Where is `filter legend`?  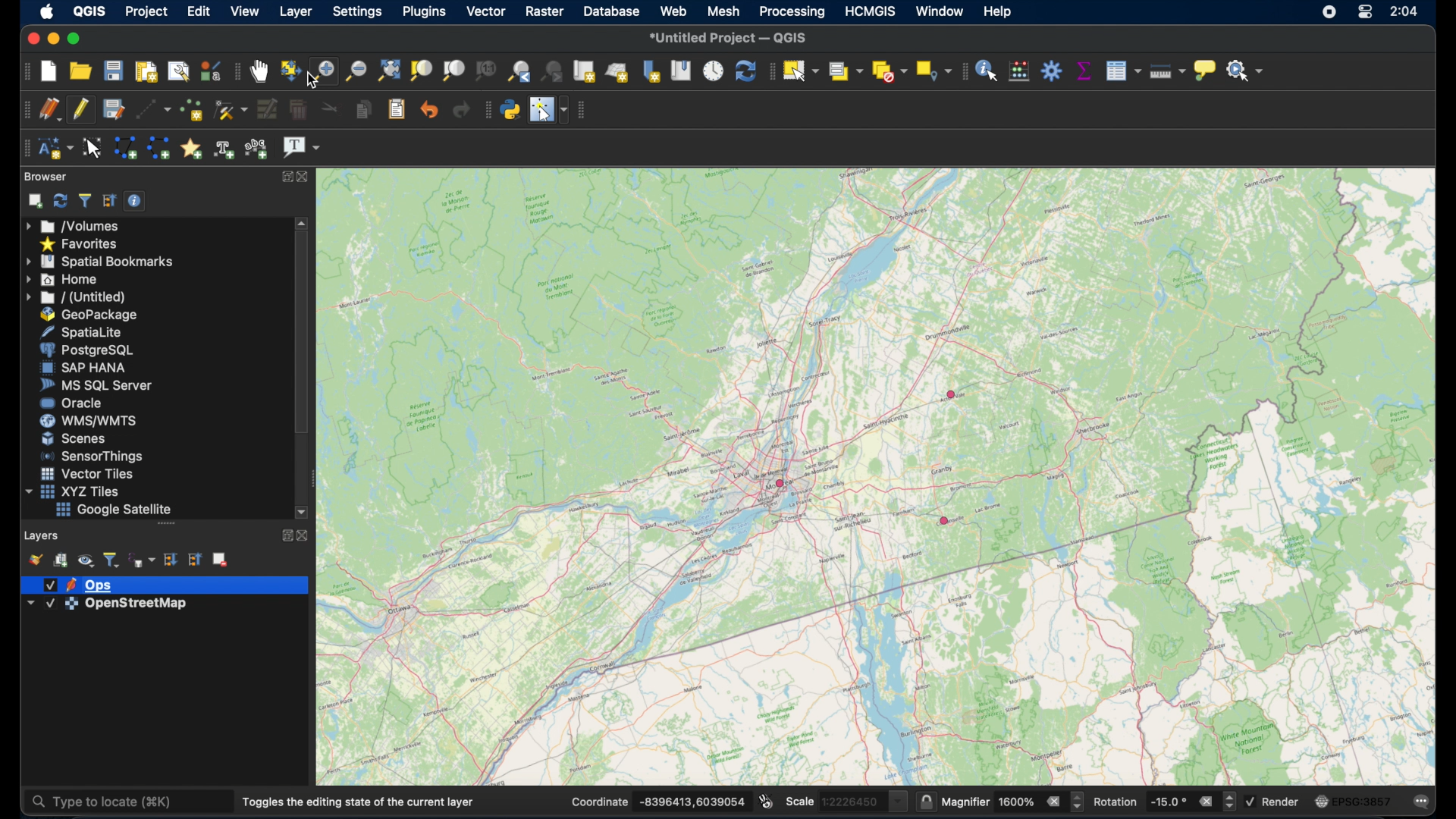 filter legend is located at coordinates (111, 559).